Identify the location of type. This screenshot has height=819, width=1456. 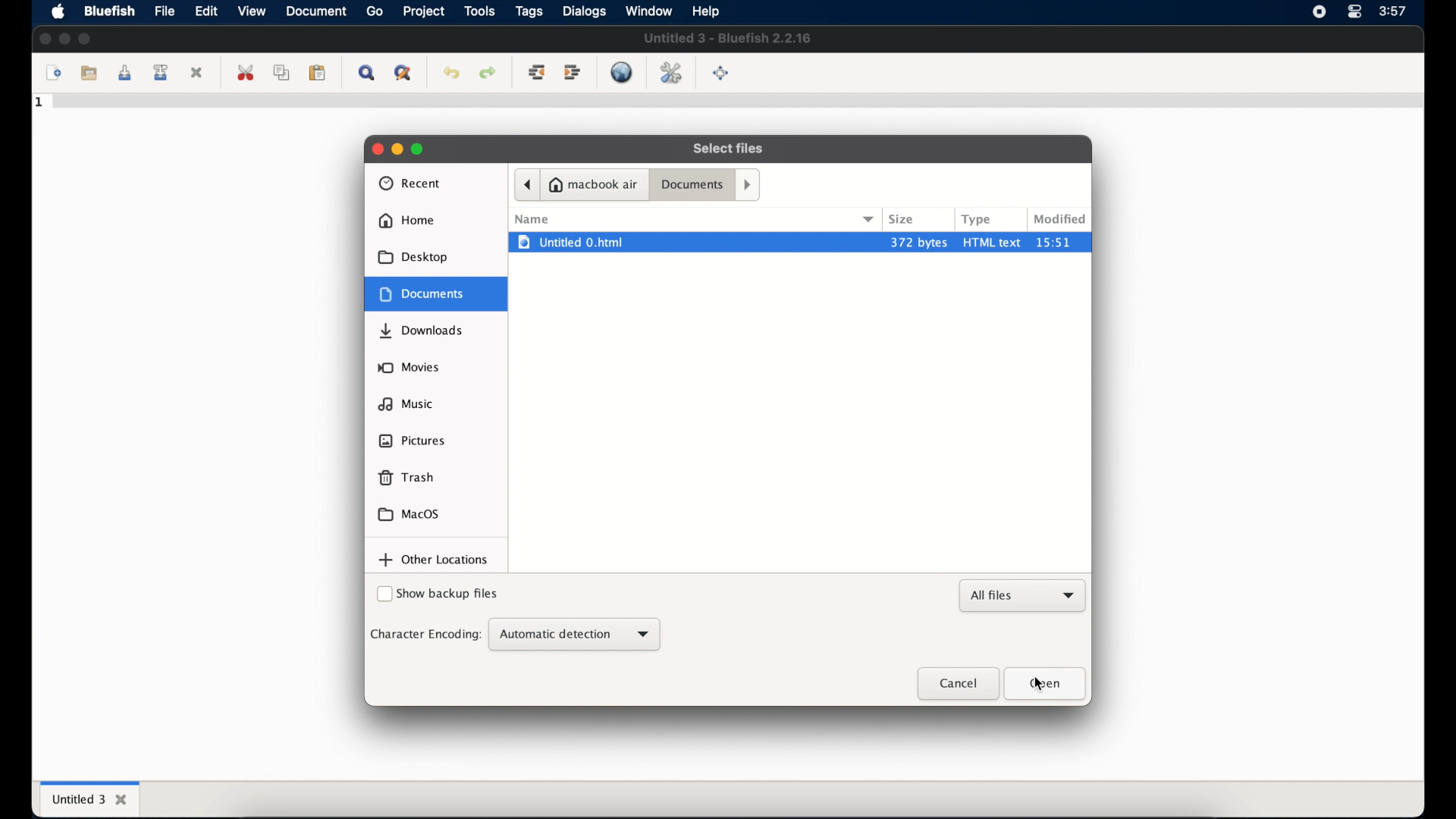
(977, 219).